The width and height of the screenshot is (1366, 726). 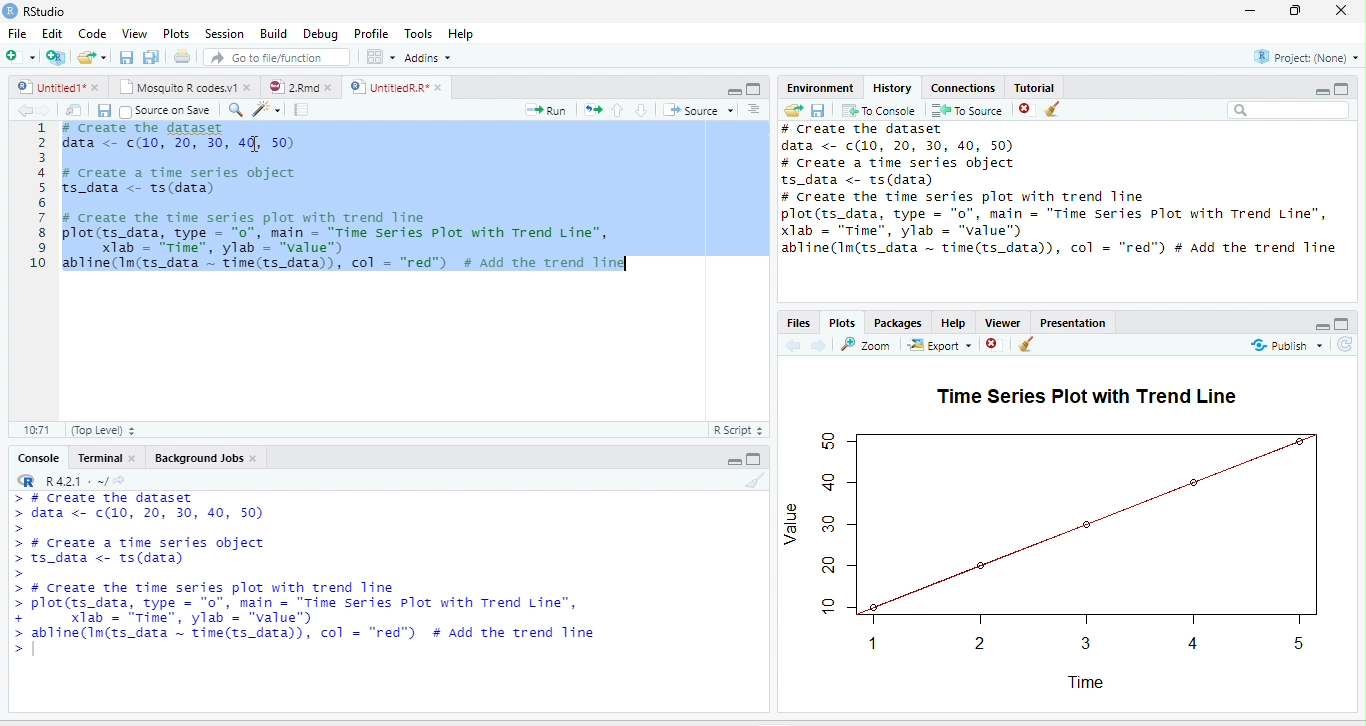 What do you see at coordinates (417, 33) in the screenshot?
I see `Tools` at bounding box center [417, 33].